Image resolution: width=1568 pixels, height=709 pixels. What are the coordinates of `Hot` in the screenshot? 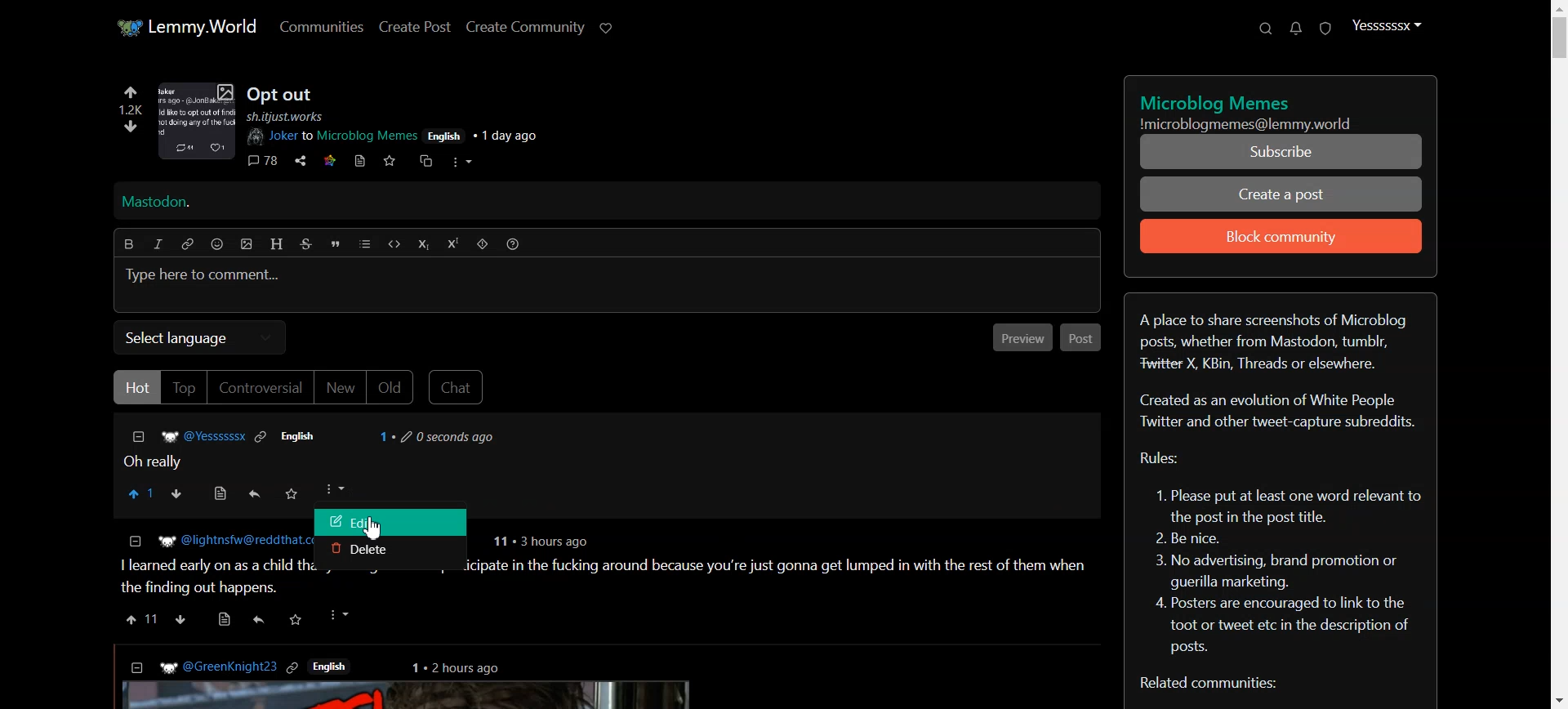 It's located at (136, 386).